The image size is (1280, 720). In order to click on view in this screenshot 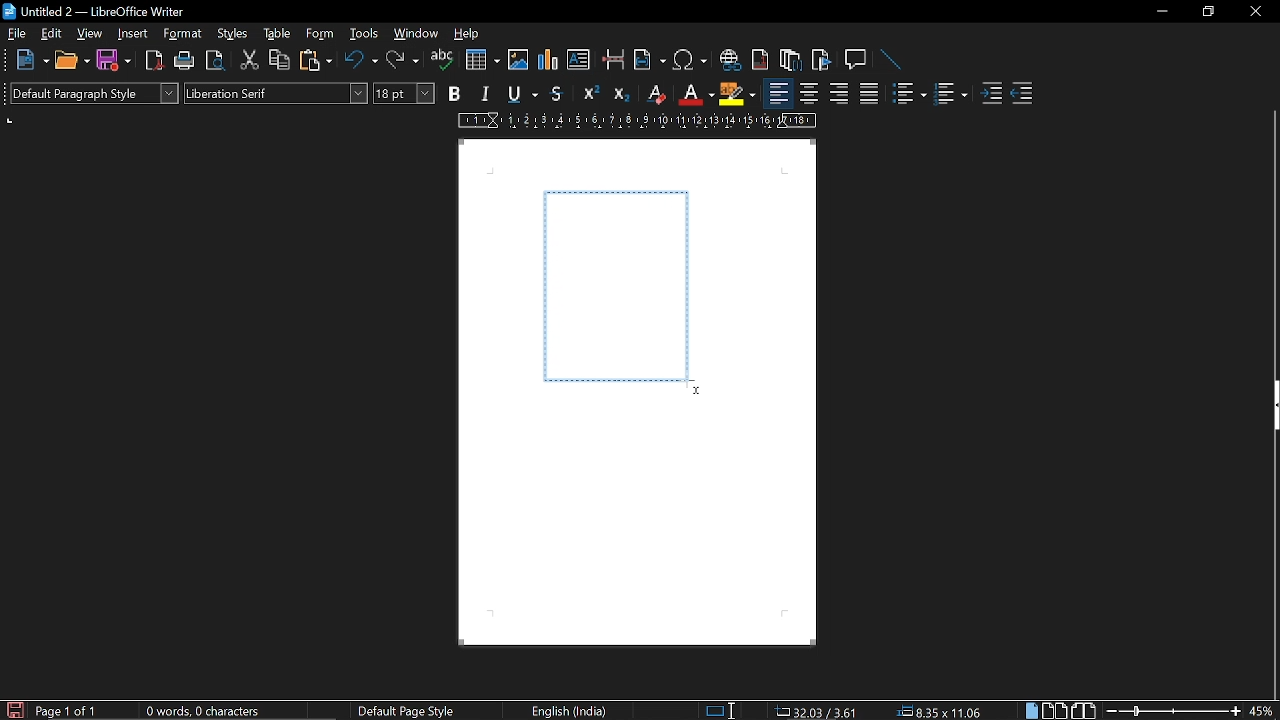, I will do `click(90, 34)`.